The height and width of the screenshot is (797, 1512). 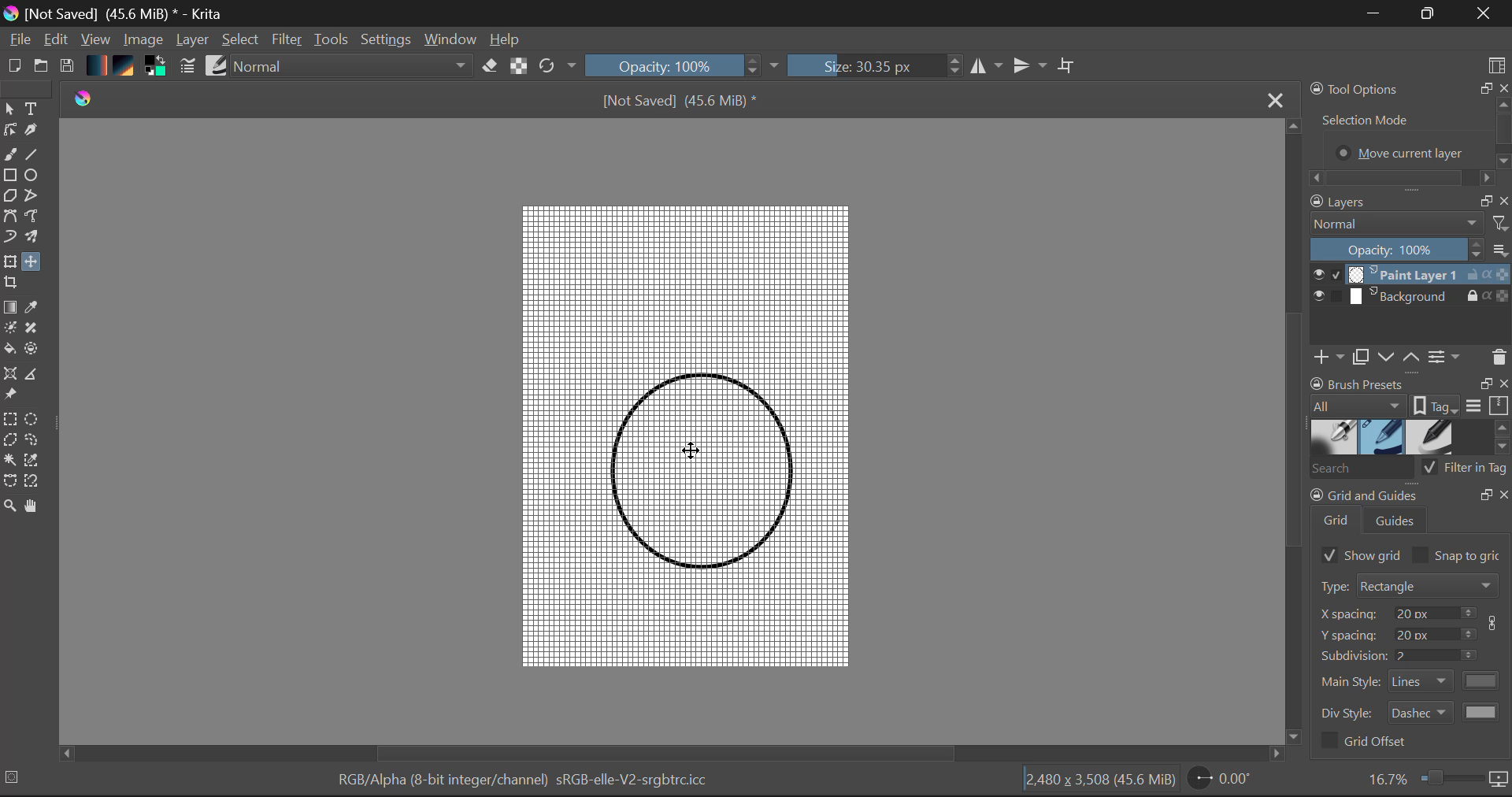 What do you see at coordinates (117, 13) in the screenshot?
I see `Window Title` at bounding box center [117, 13].